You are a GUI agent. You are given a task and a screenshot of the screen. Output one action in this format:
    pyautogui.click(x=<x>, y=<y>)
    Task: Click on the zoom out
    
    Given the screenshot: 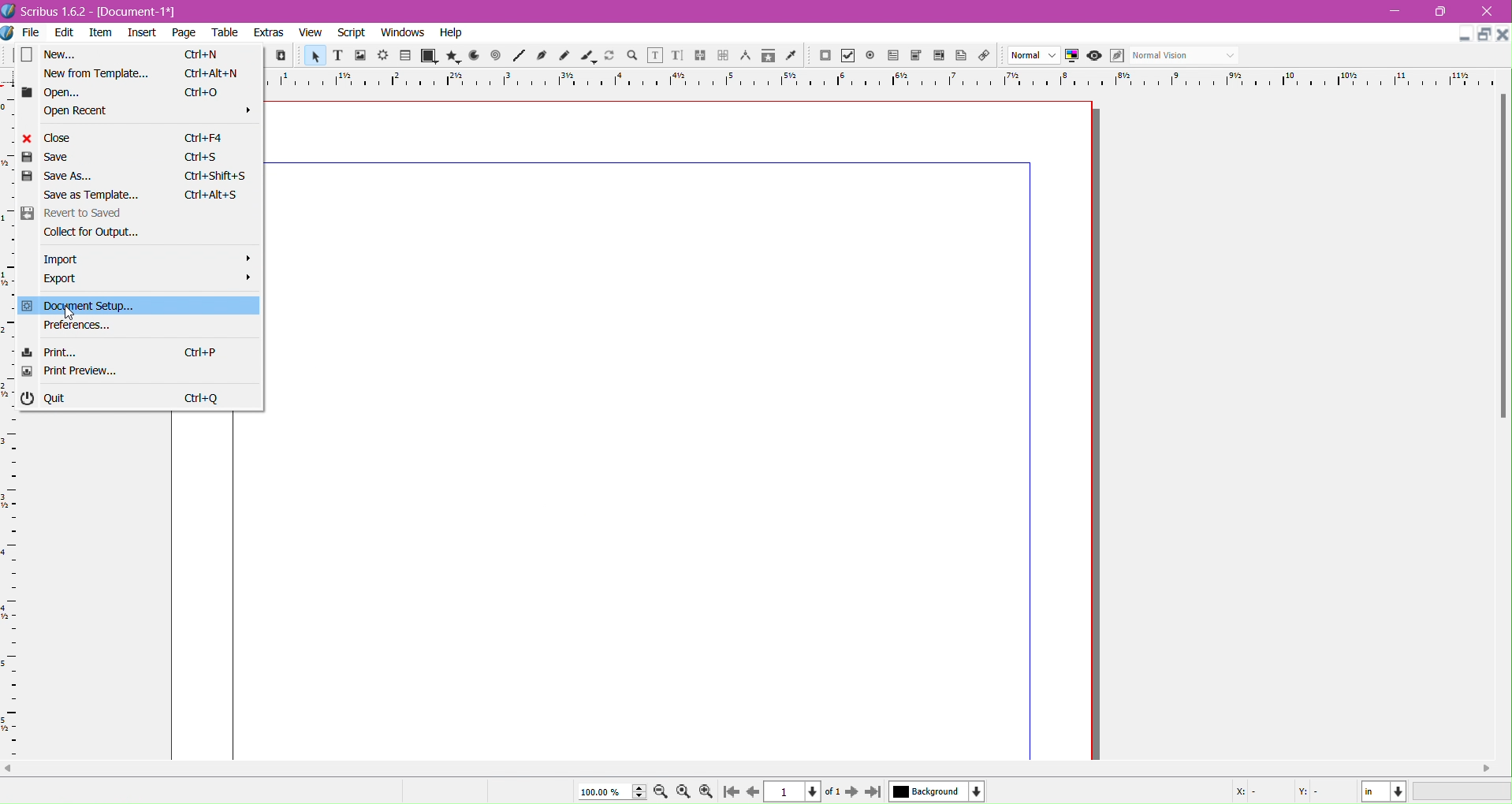 What is the action you would take?
    pyautogui.click(x=662, y=793)
    